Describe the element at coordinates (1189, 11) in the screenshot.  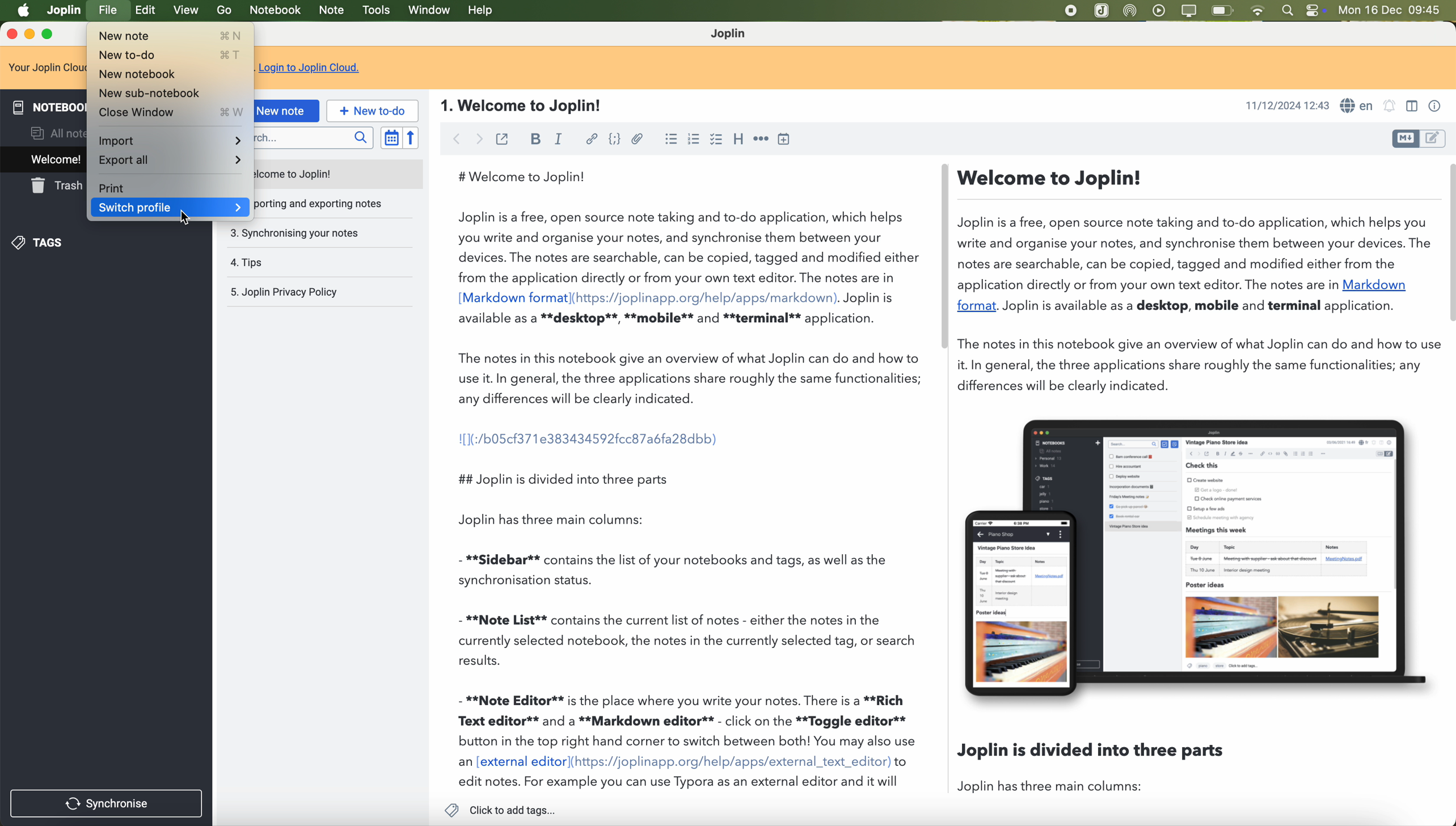
I see `screen` at that location.